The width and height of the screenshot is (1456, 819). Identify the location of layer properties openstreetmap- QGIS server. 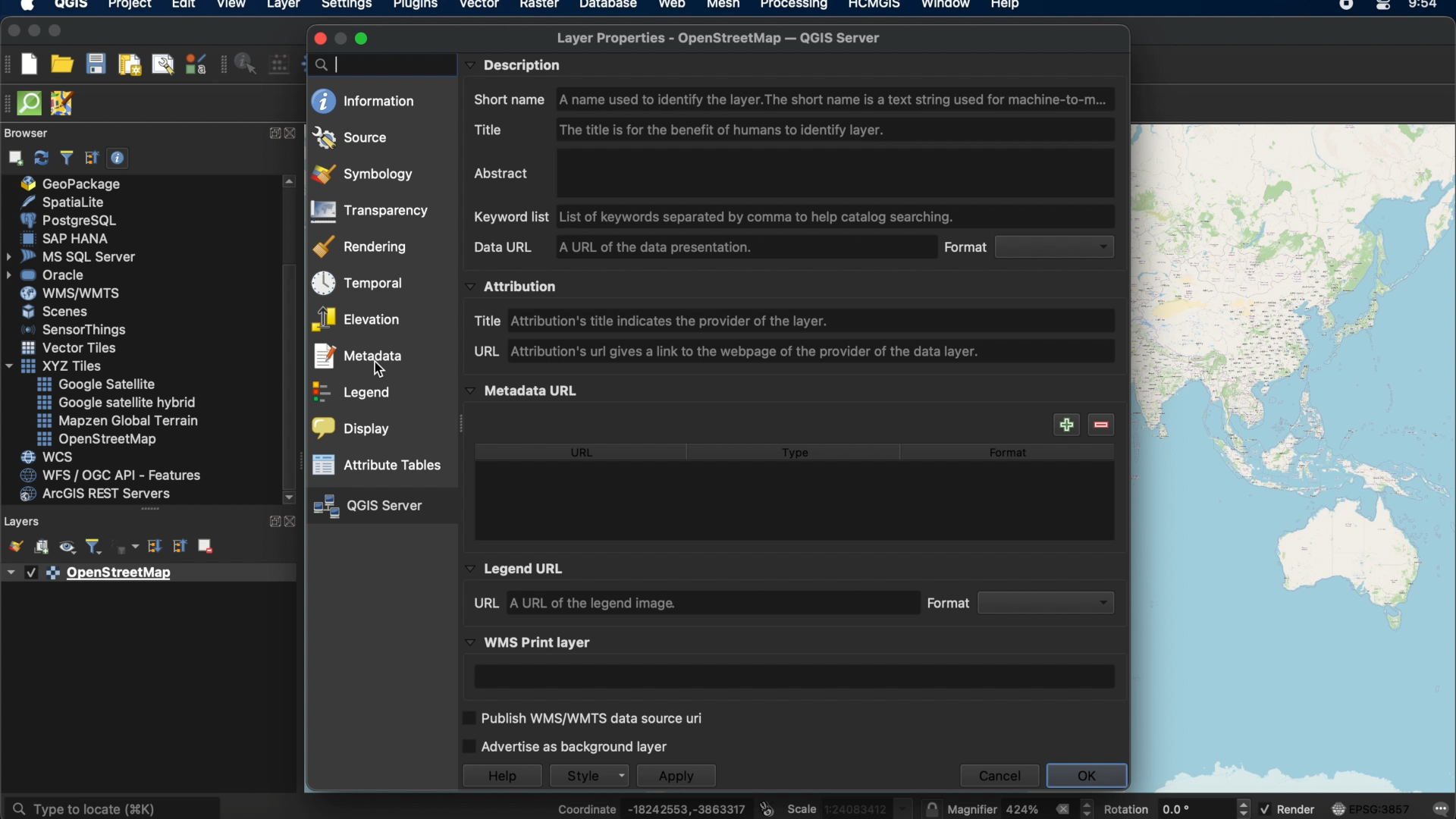
(717, 38).